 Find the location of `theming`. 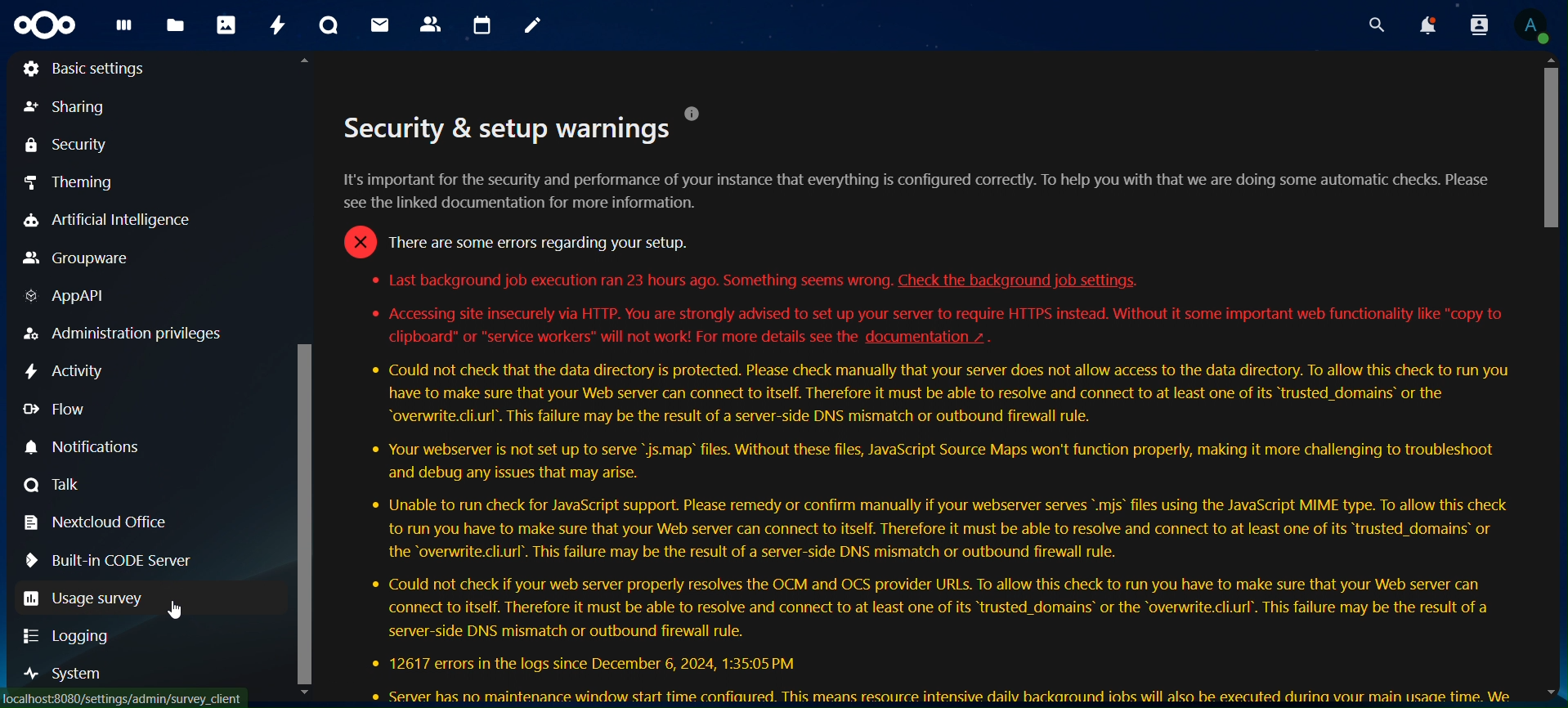

theming is located at coordinates (72, 184).